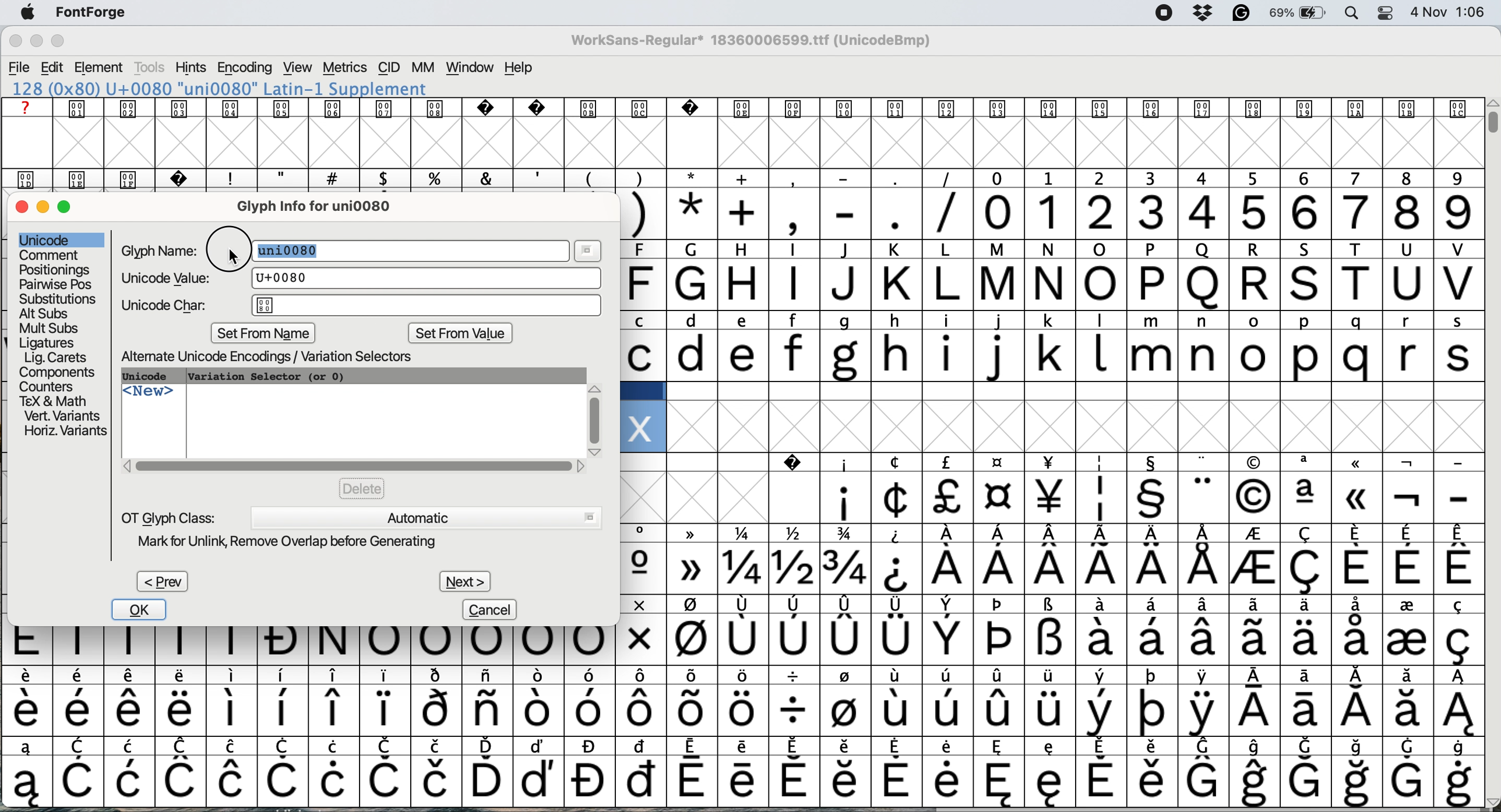 The width and height of the screenshot is (1501, 812). What do you see at coordinates (492, 609) in the screenshot?
I see `cancel` at bounding box center [492, 609].